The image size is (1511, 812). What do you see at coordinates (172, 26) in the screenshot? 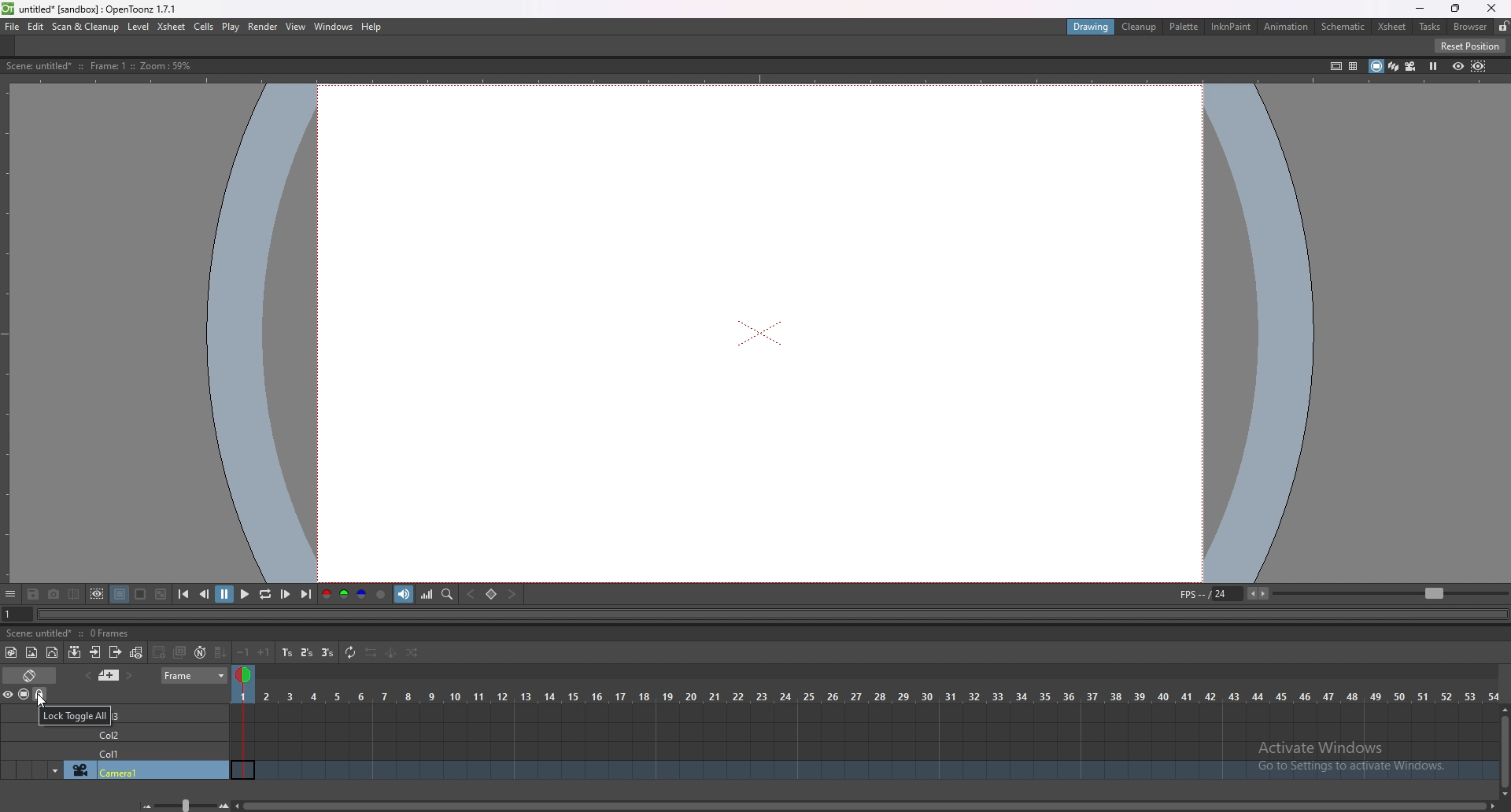
I see `xsheet` at bounding box center [172, 26].